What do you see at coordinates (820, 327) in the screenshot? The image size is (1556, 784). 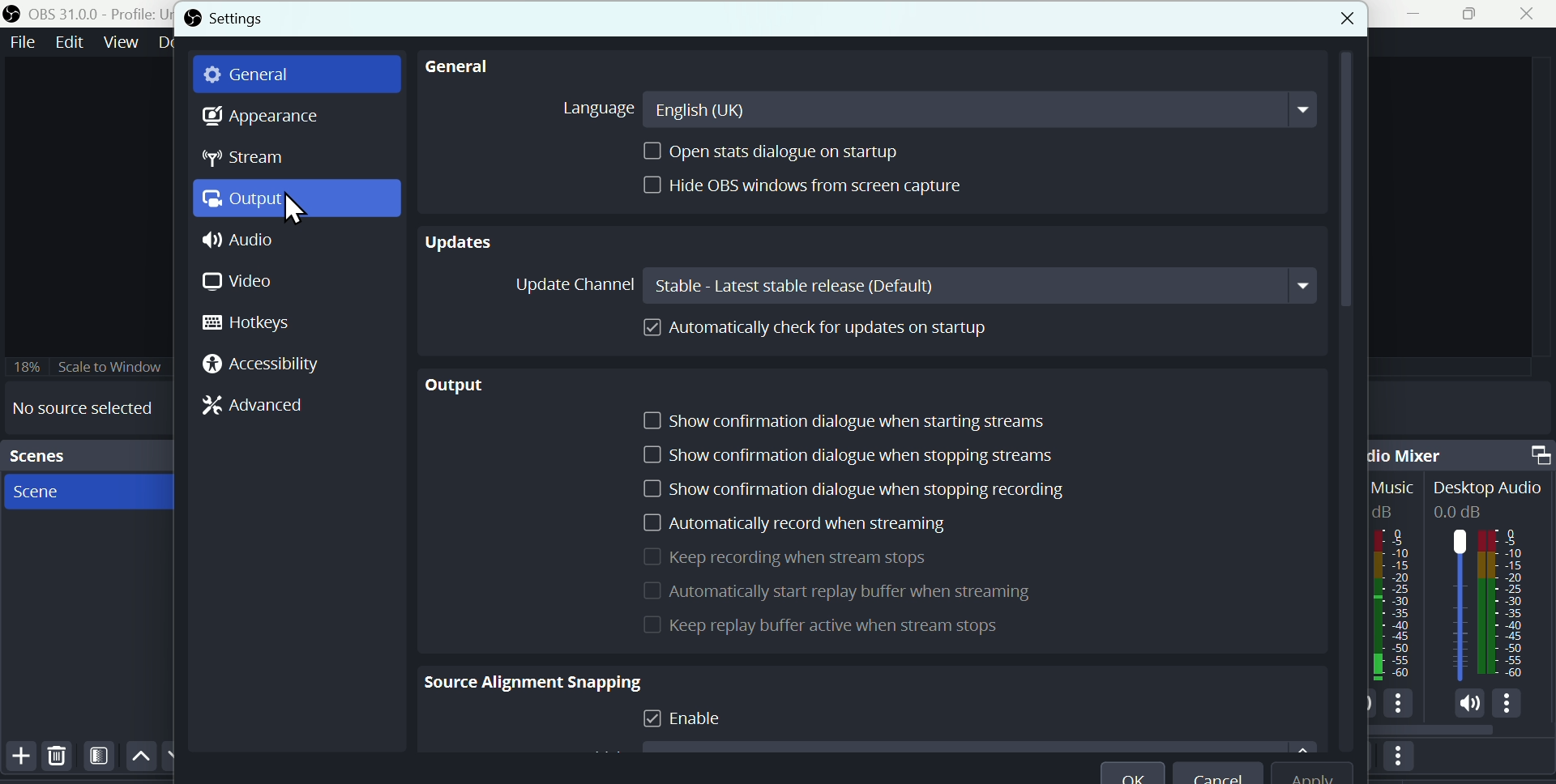 I see `Automatically cheque for updates on startup` at bounding box center [820, 327].